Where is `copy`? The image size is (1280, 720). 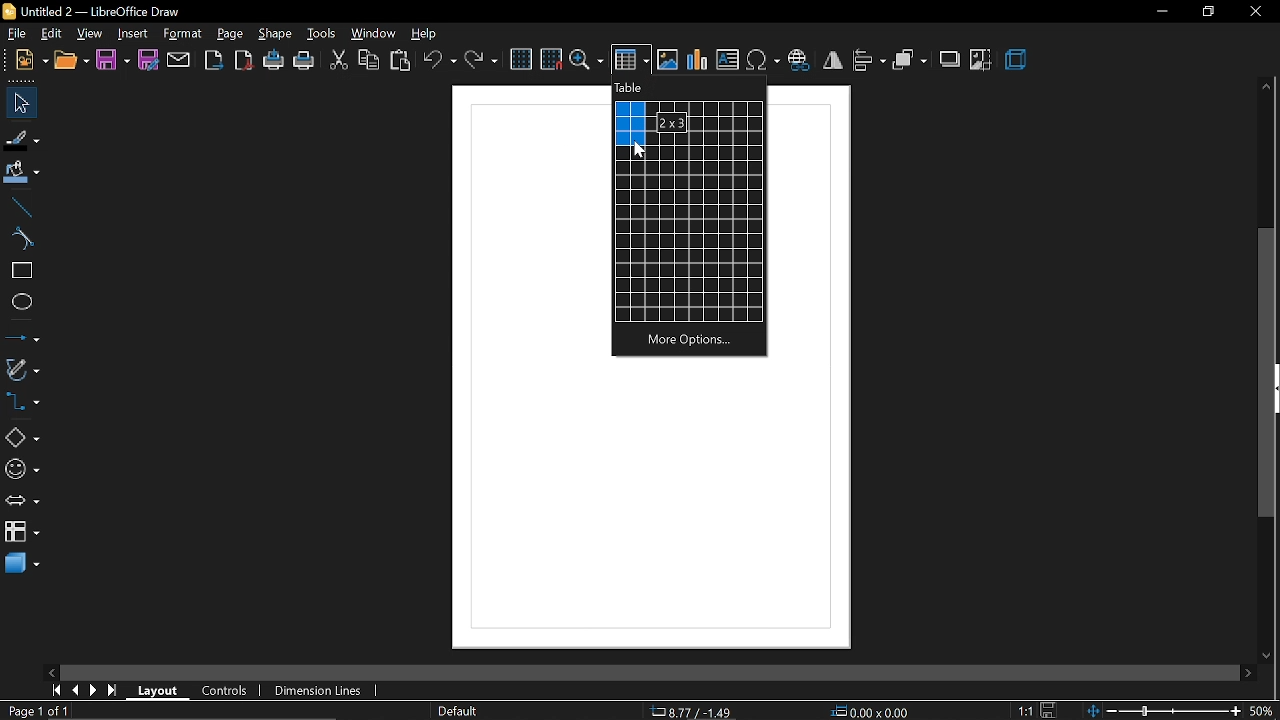
copy is located at coordinates (370, 60).